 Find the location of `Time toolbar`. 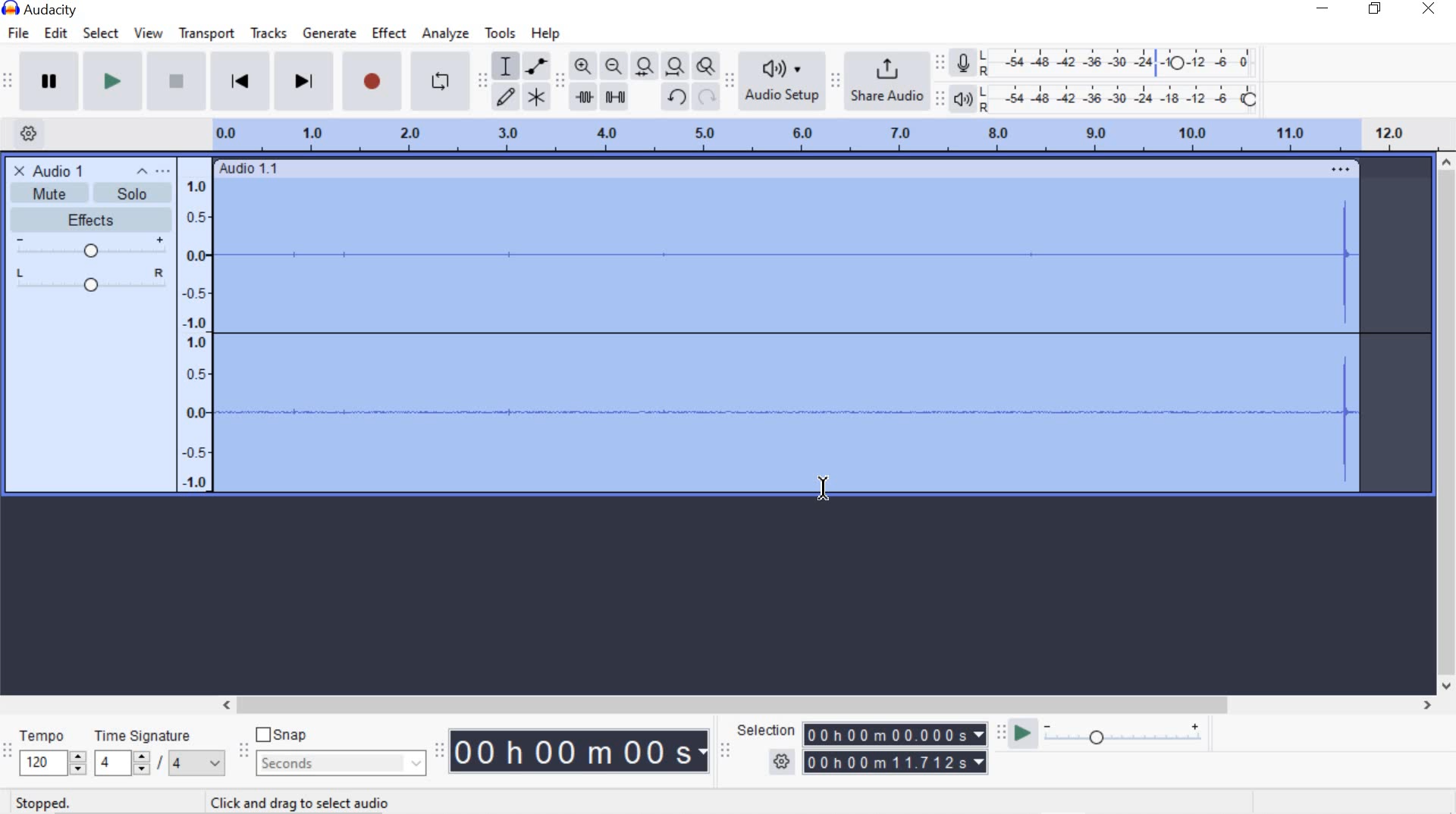

Time toolbar is located at coordinates (441, 750).